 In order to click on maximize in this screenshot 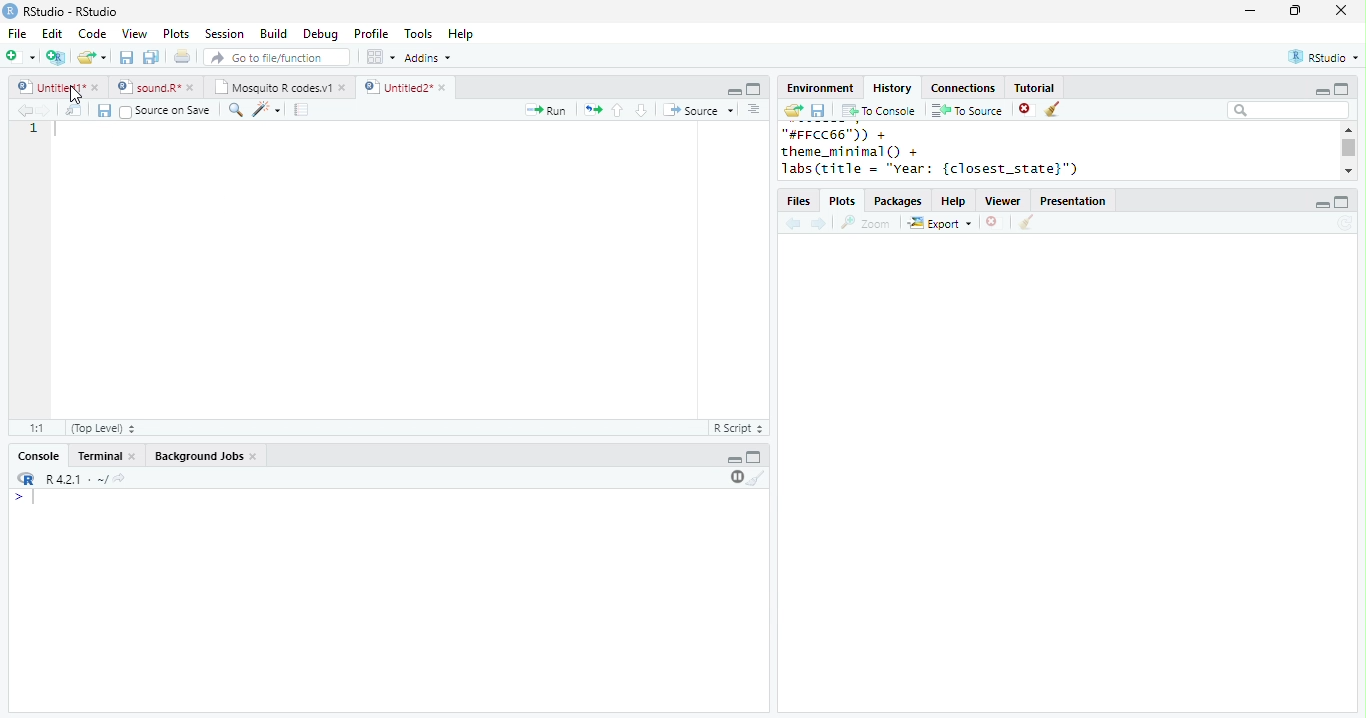, I will do `click(754, 456)`.